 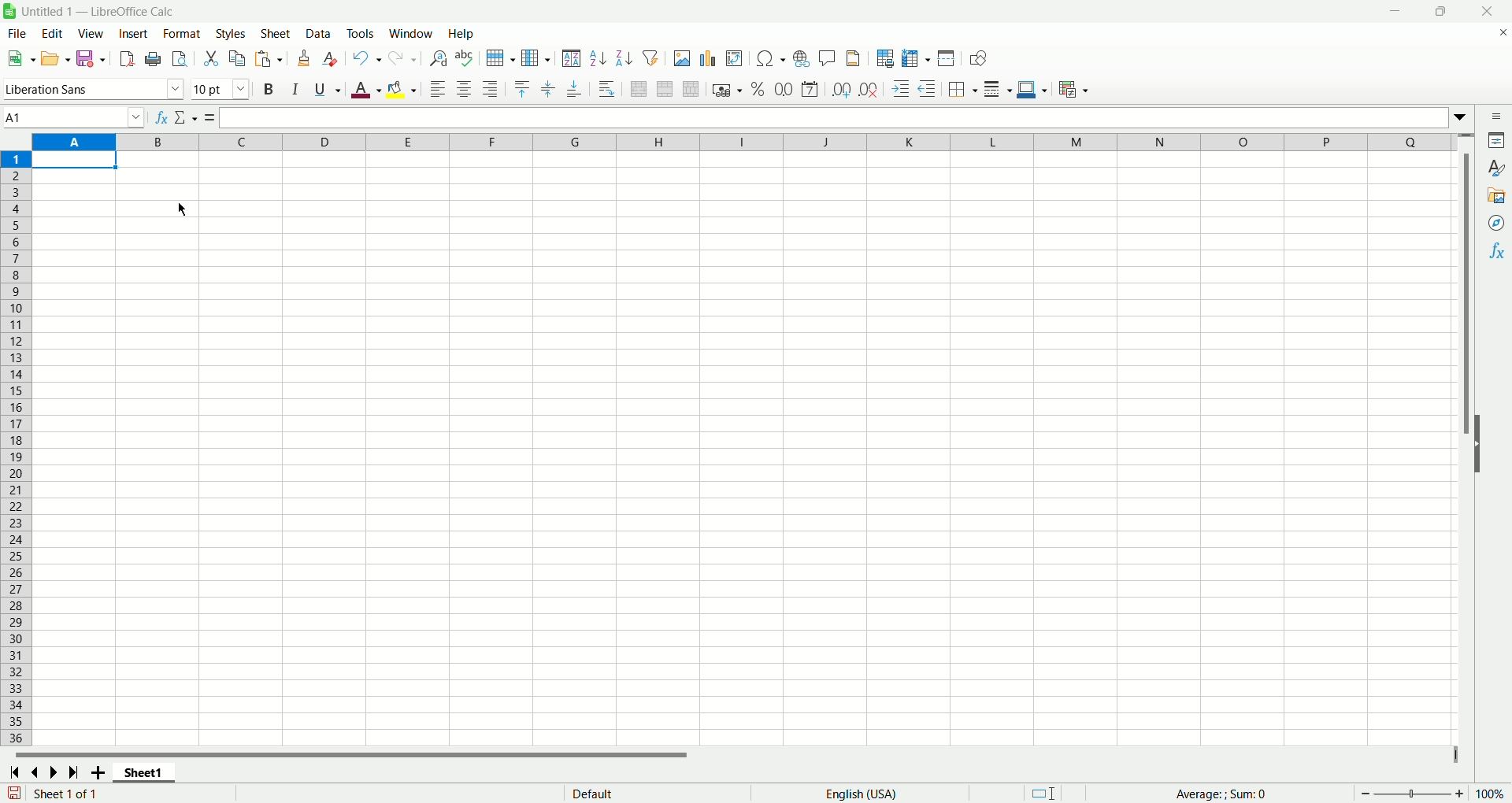 I want to click on New, so click(x=20, y=57).